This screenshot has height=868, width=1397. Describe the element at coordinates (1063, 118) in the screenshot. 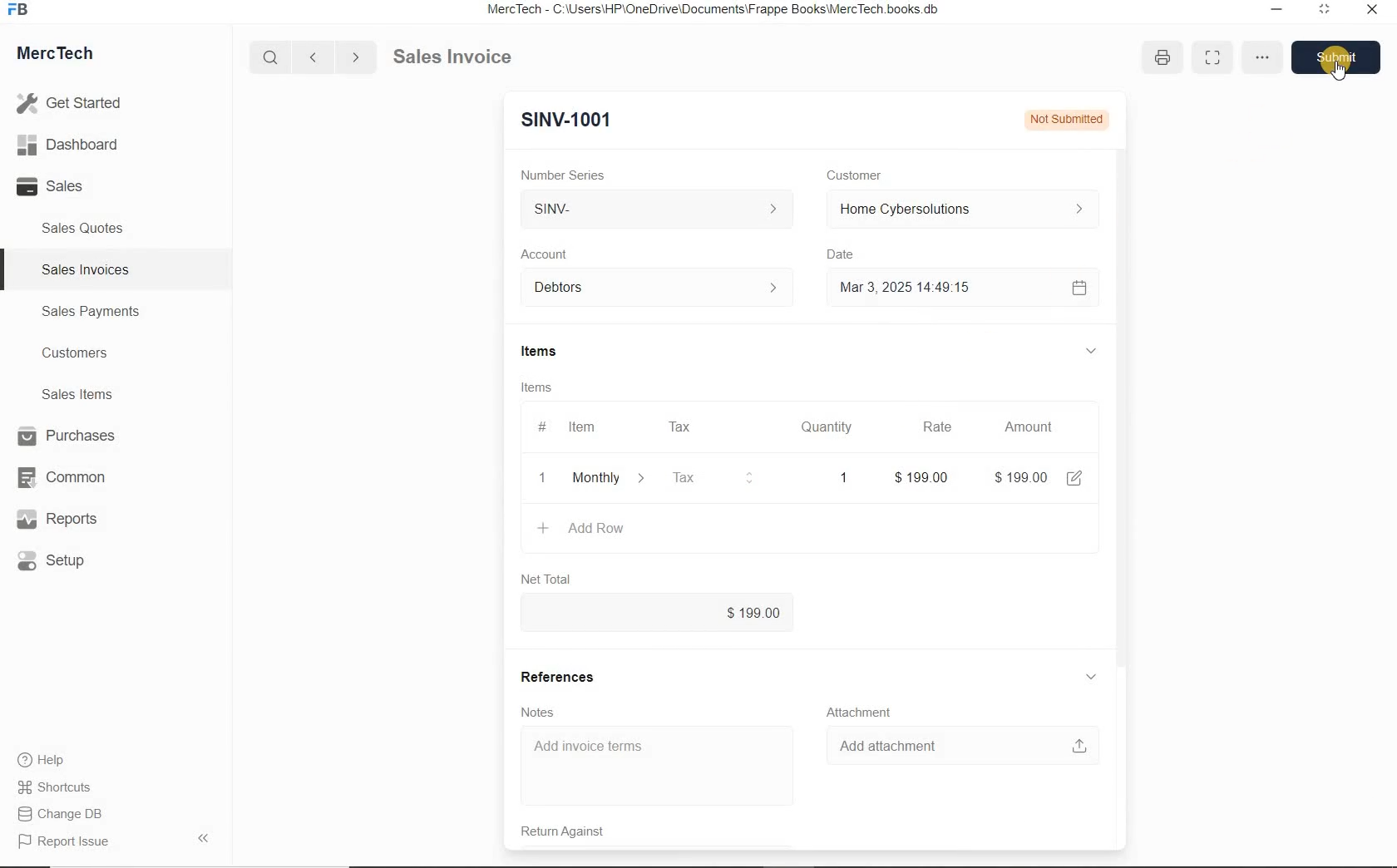

I see `Not submitted` at that location.